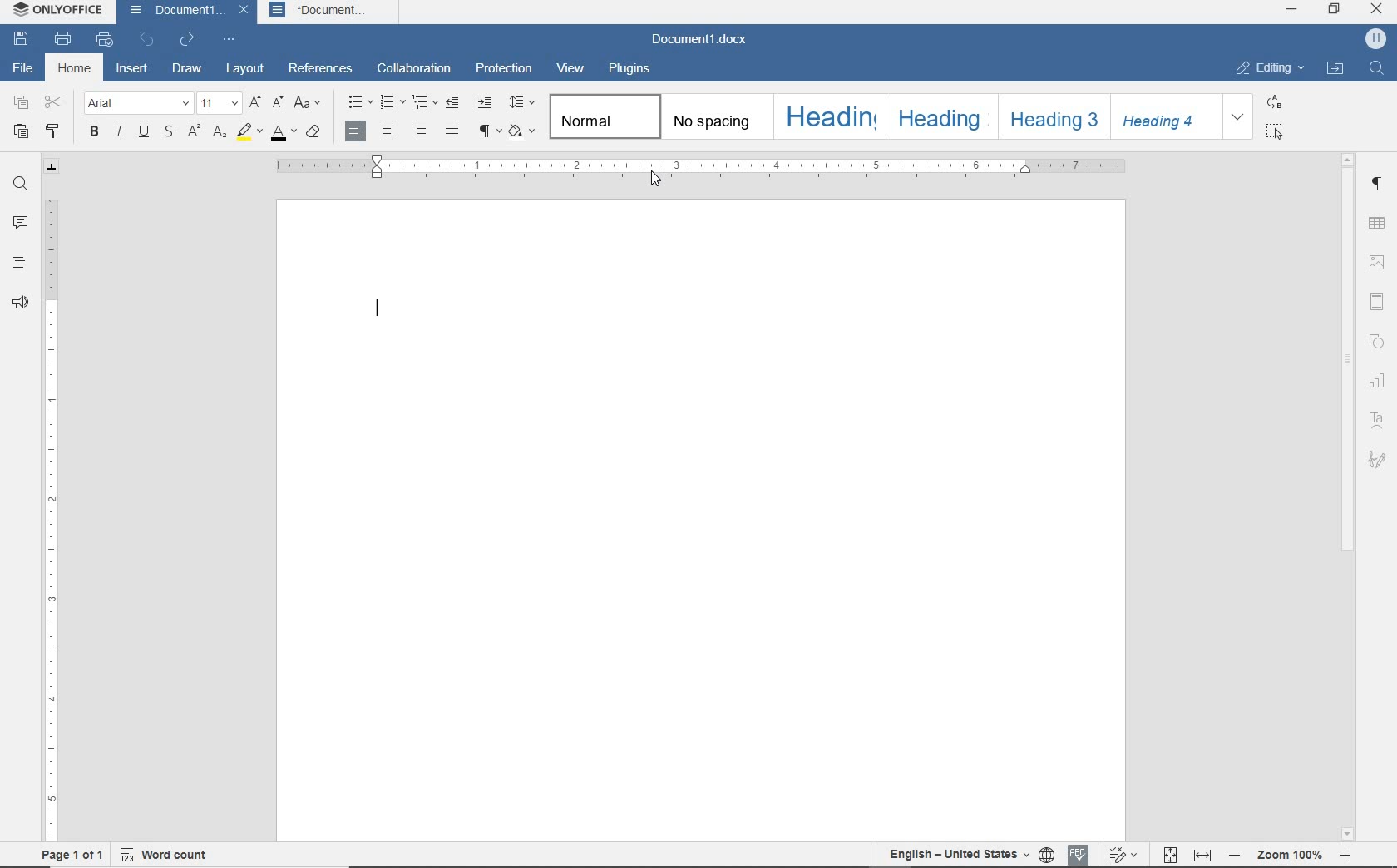 This screenshot has height=868, width=1397. Describe the element at coordinates (1334, 11) in the screenshot. I see `RESTORE DOWN` at that location.